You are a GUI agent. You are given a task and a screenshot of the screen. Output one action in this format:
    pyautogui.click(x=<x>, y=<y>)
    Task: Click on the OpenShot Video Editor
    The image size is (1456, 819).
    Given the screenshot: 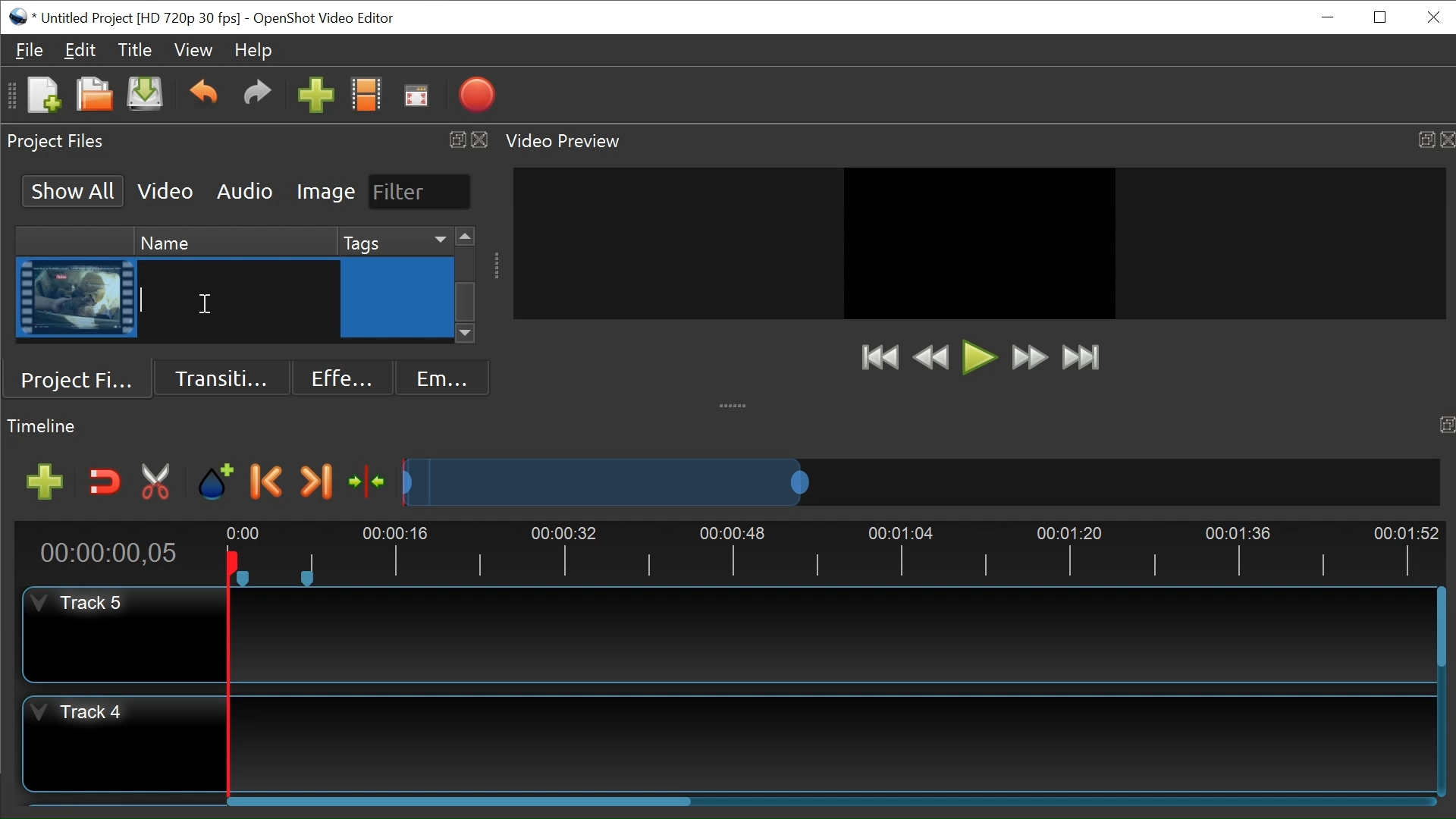 What is the action you would take?
    pyautogui.click(x=322, y=18)
    